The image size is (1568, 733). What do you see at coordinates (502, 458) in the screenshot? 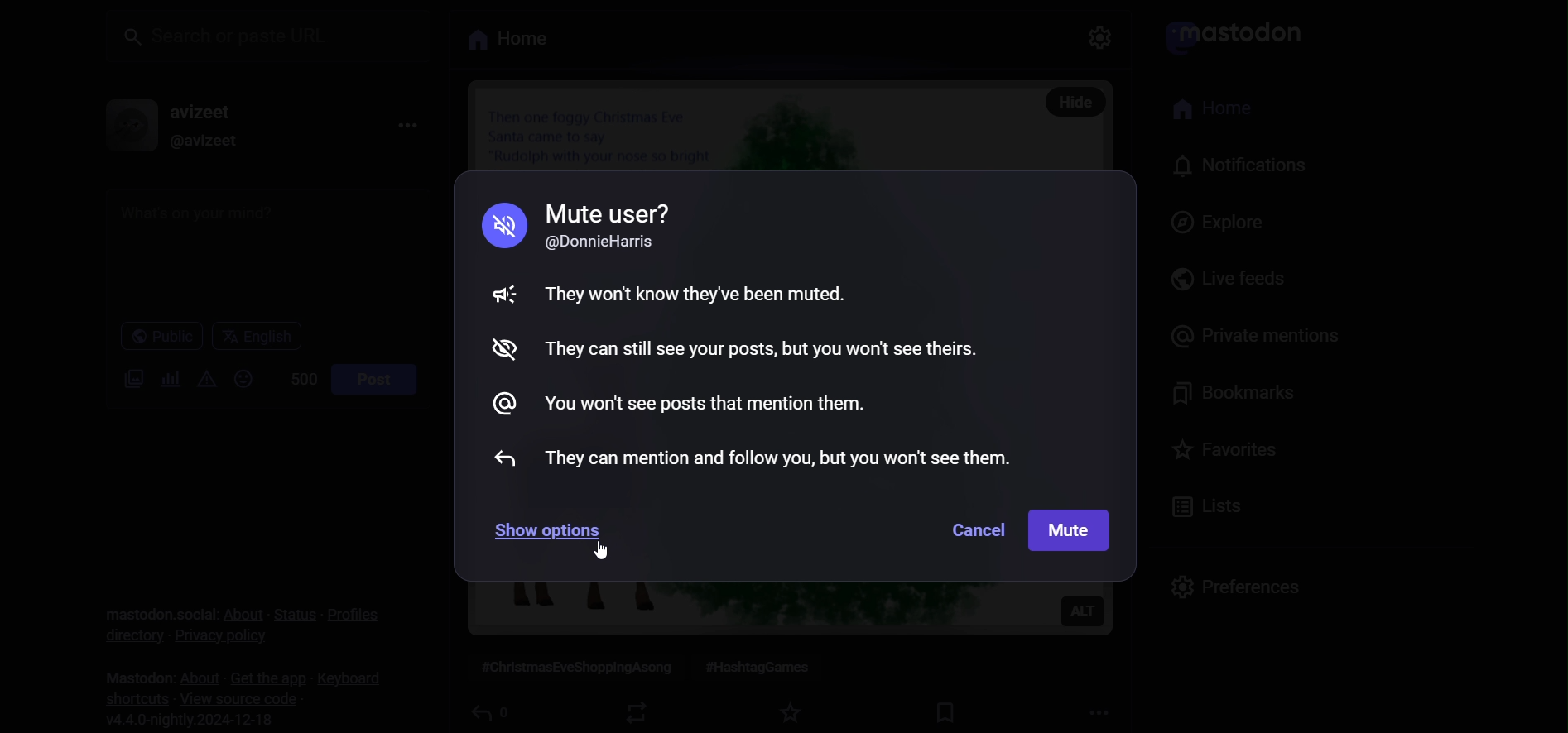
I see `reply` at bounding box center [502, 458].